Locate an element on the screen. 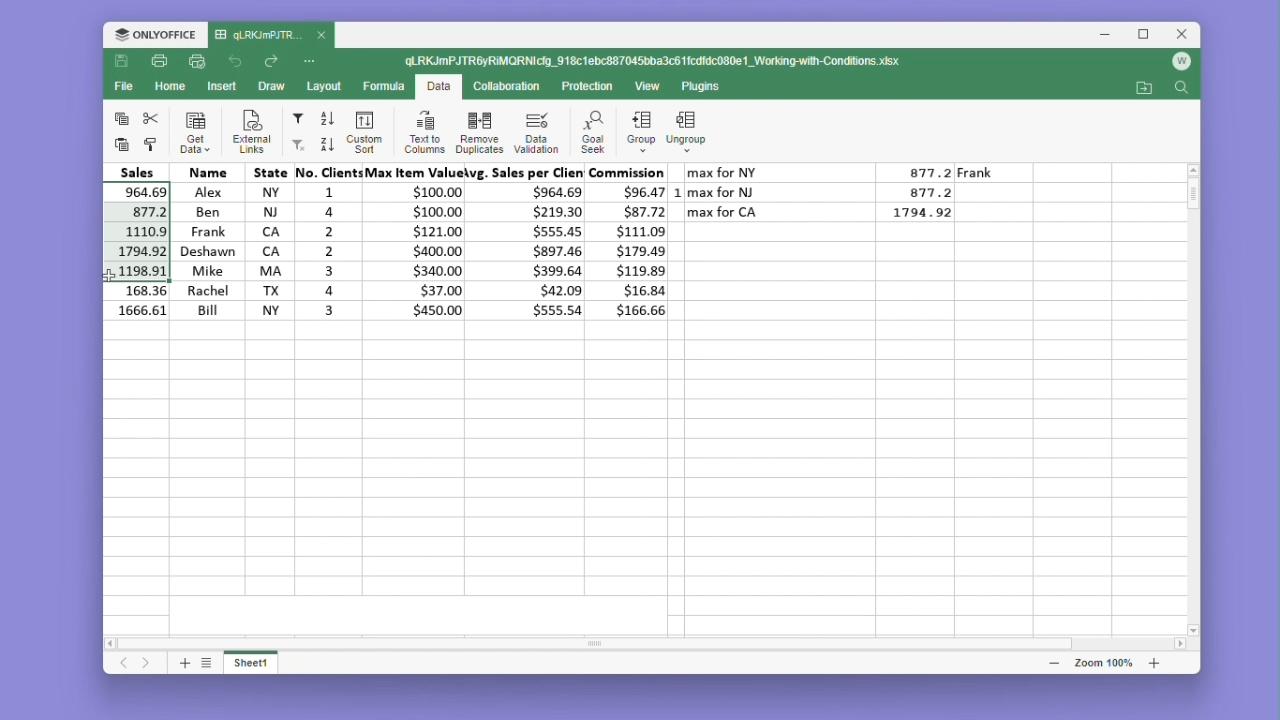  paste is located at coordinates (119, 144).